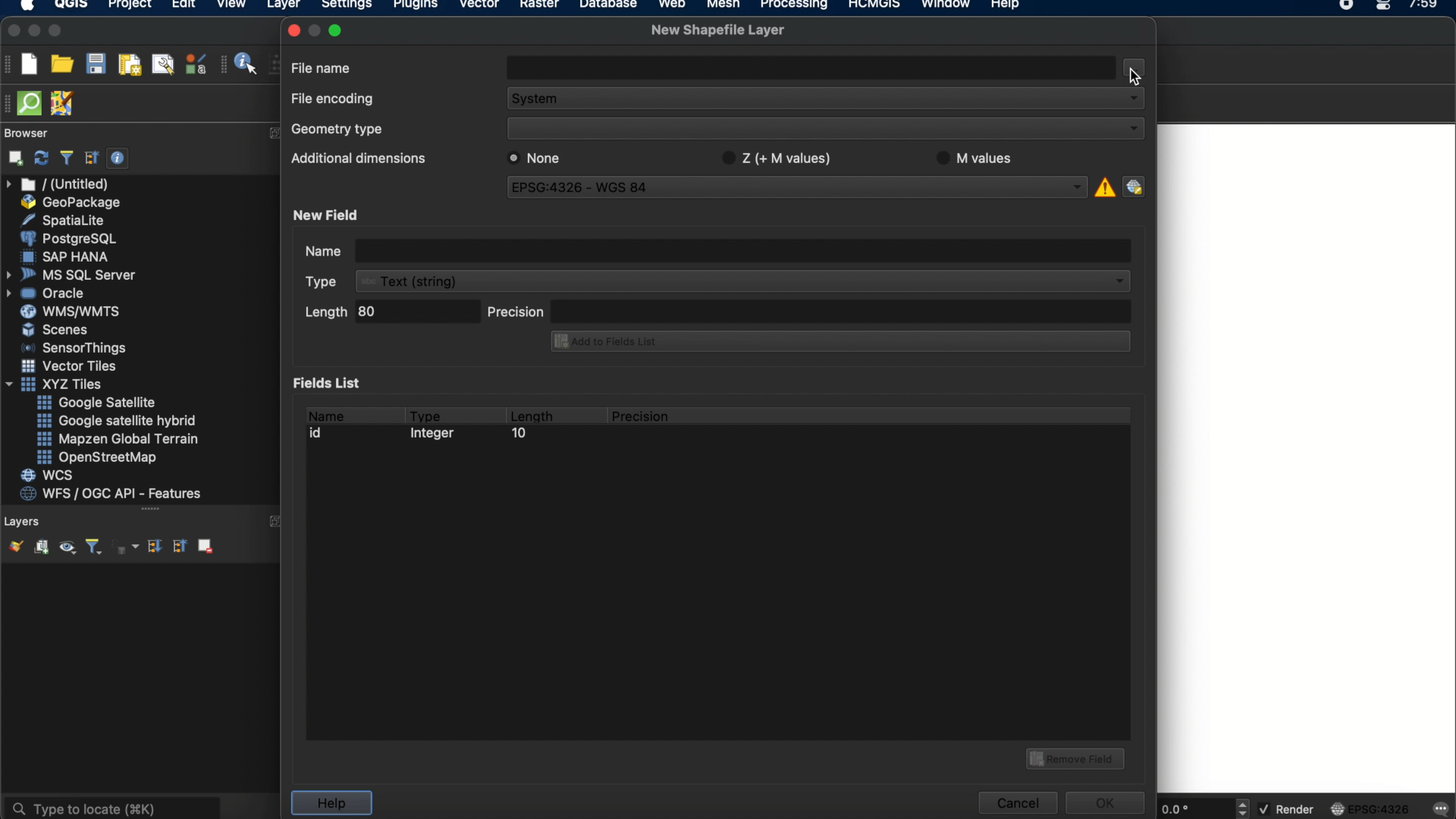 This screenshot has width=1456, height=819. What do you see at coordinates (1103, 185) in the screenshot?
I see `crs info` at bounding box center [1103, 185].